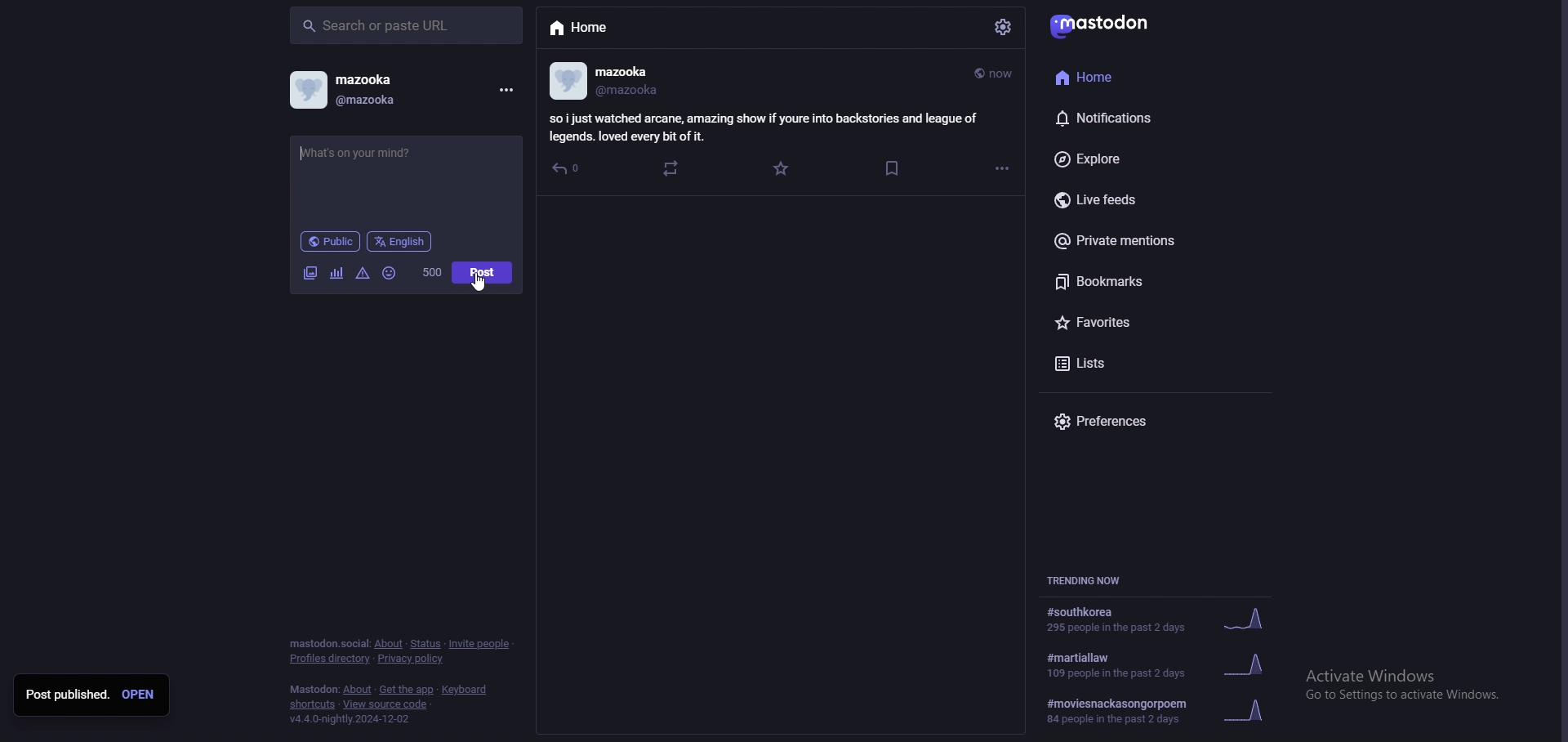 The image size is (1568, 742). I want to click on favourites, so click(1127, 322).